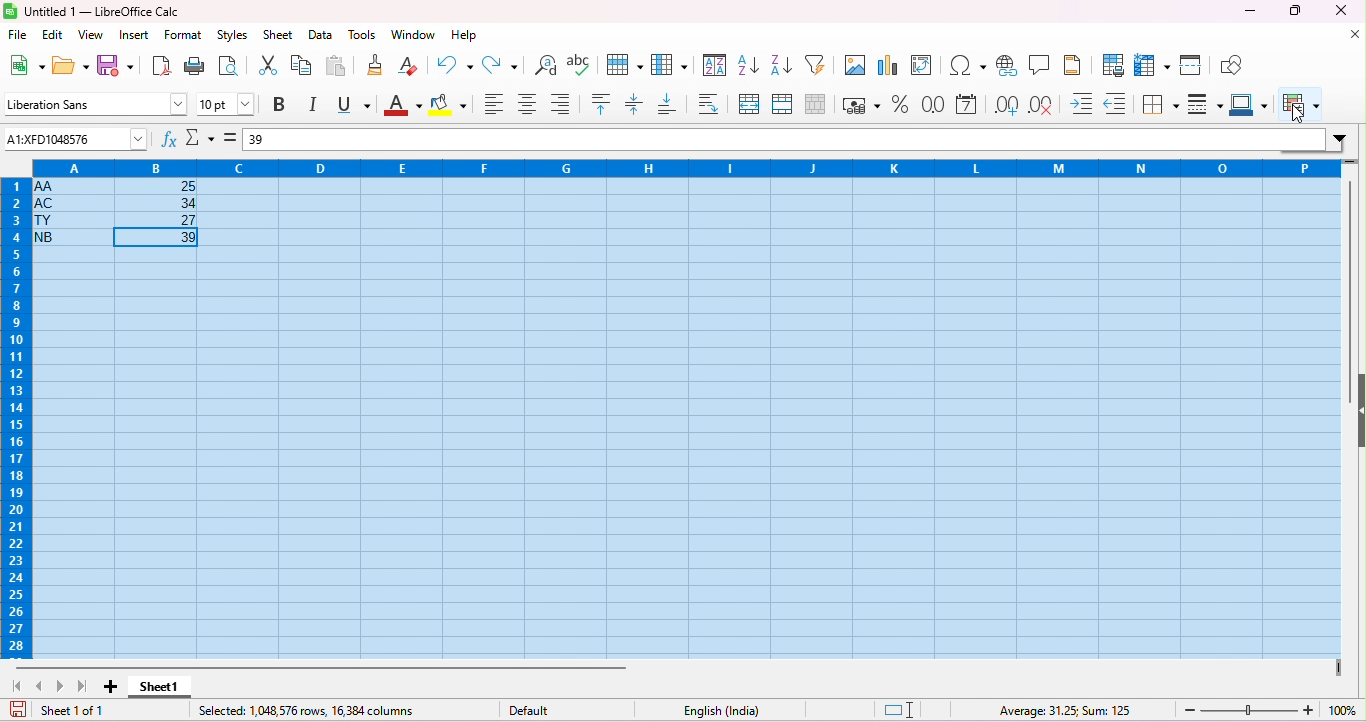 The width and height of the screenshot is (1366, 722). I want to click on delete decimal, so click(1041, 105).